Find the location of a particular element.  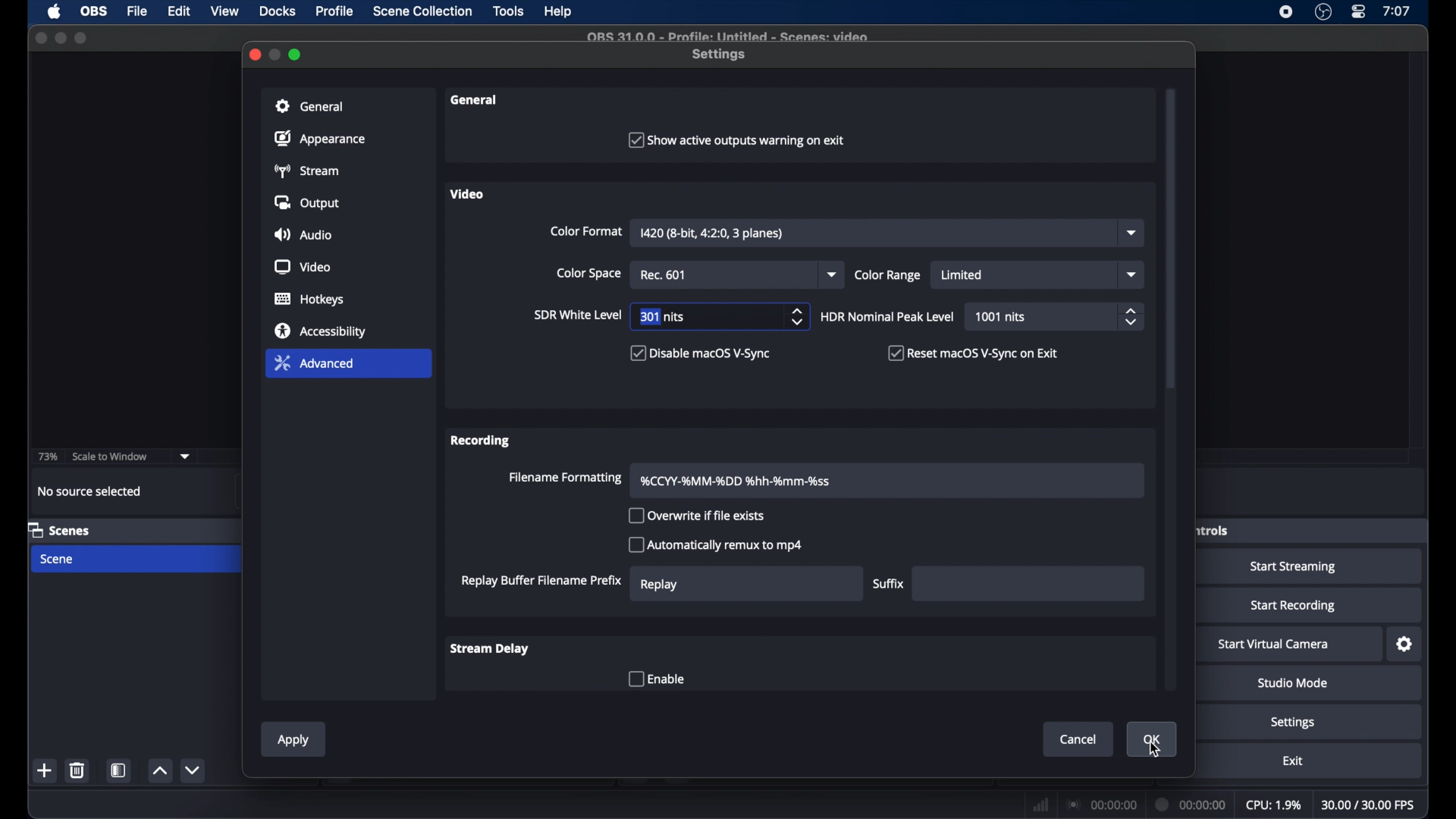

no source selected is located at coordinates (89, 492).